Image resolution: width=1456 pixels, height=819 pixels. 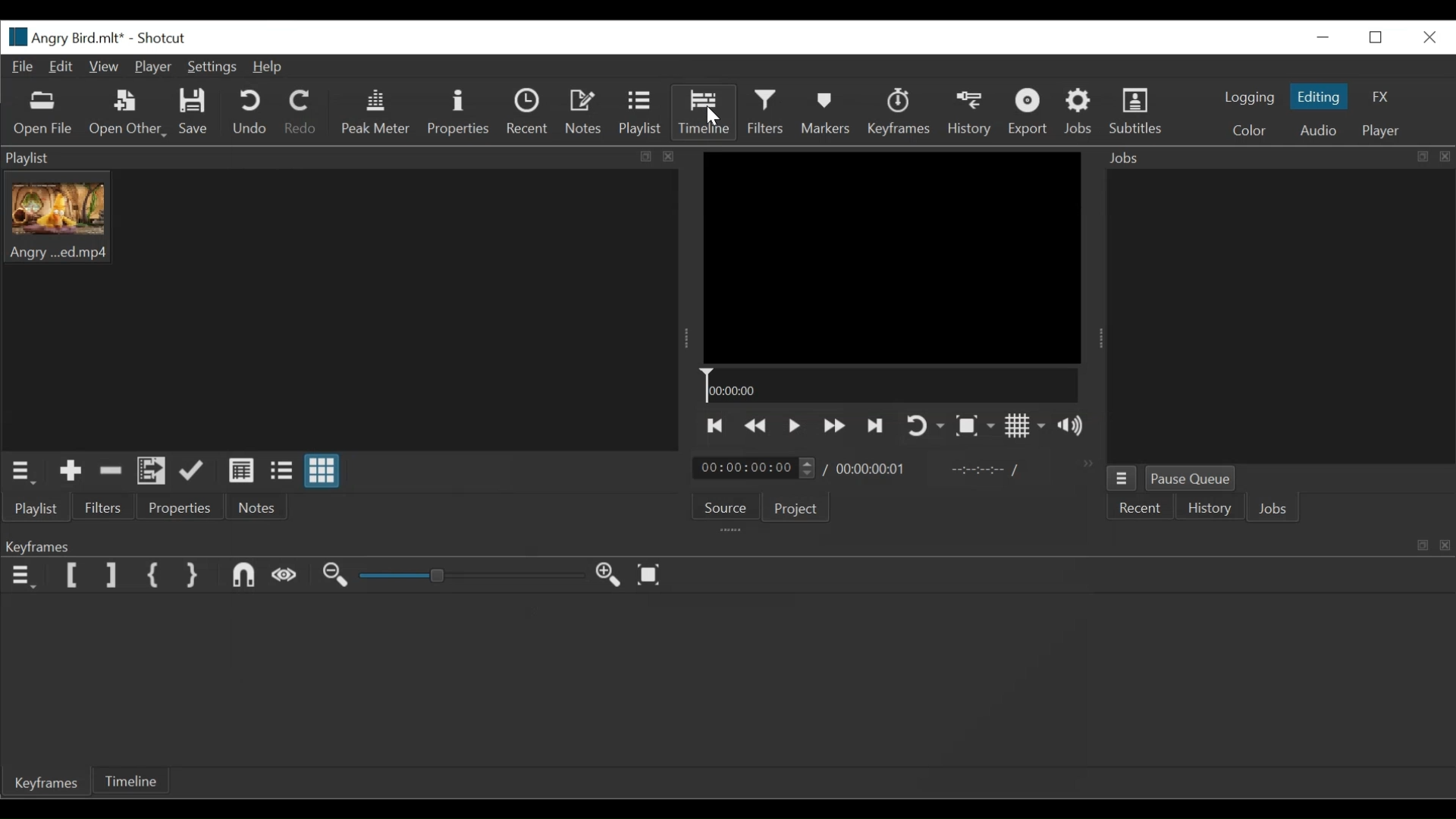 I want to click on Playlist, so click(x=639, y=111).